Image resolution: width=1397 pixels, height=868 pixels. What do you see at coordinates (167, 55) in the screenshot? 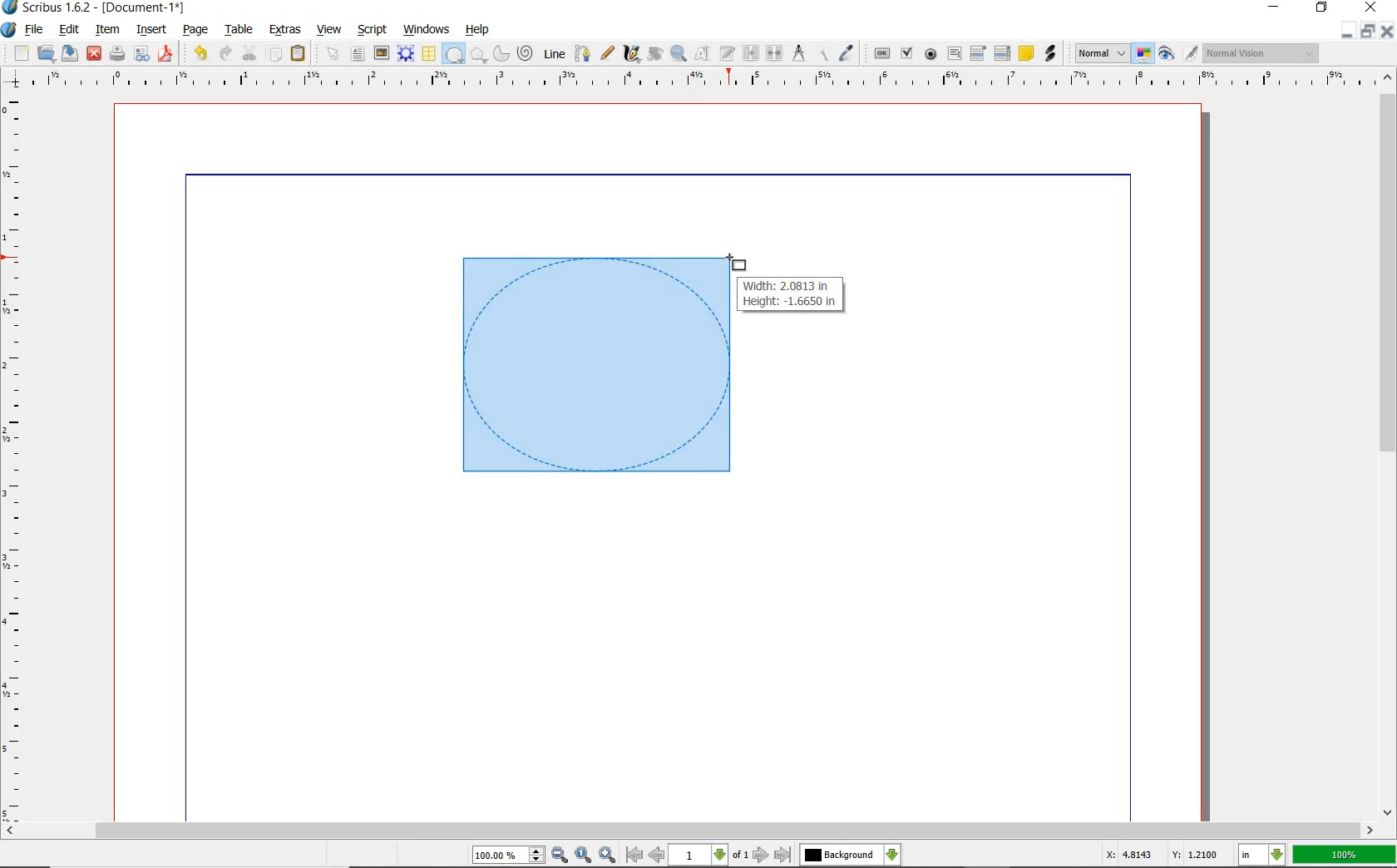
I see `SAVE AS PDF` at bounding box center [167, 55].